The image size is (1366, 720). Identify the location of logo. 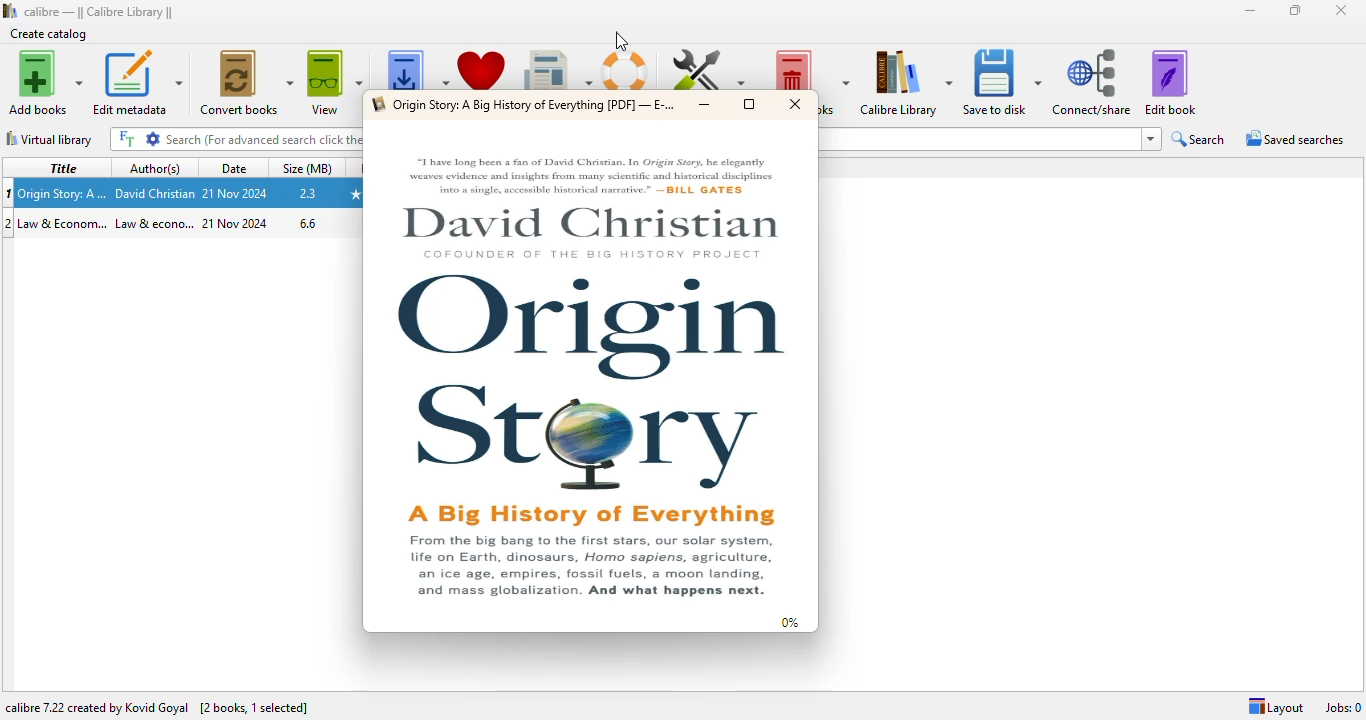
(379, 104).